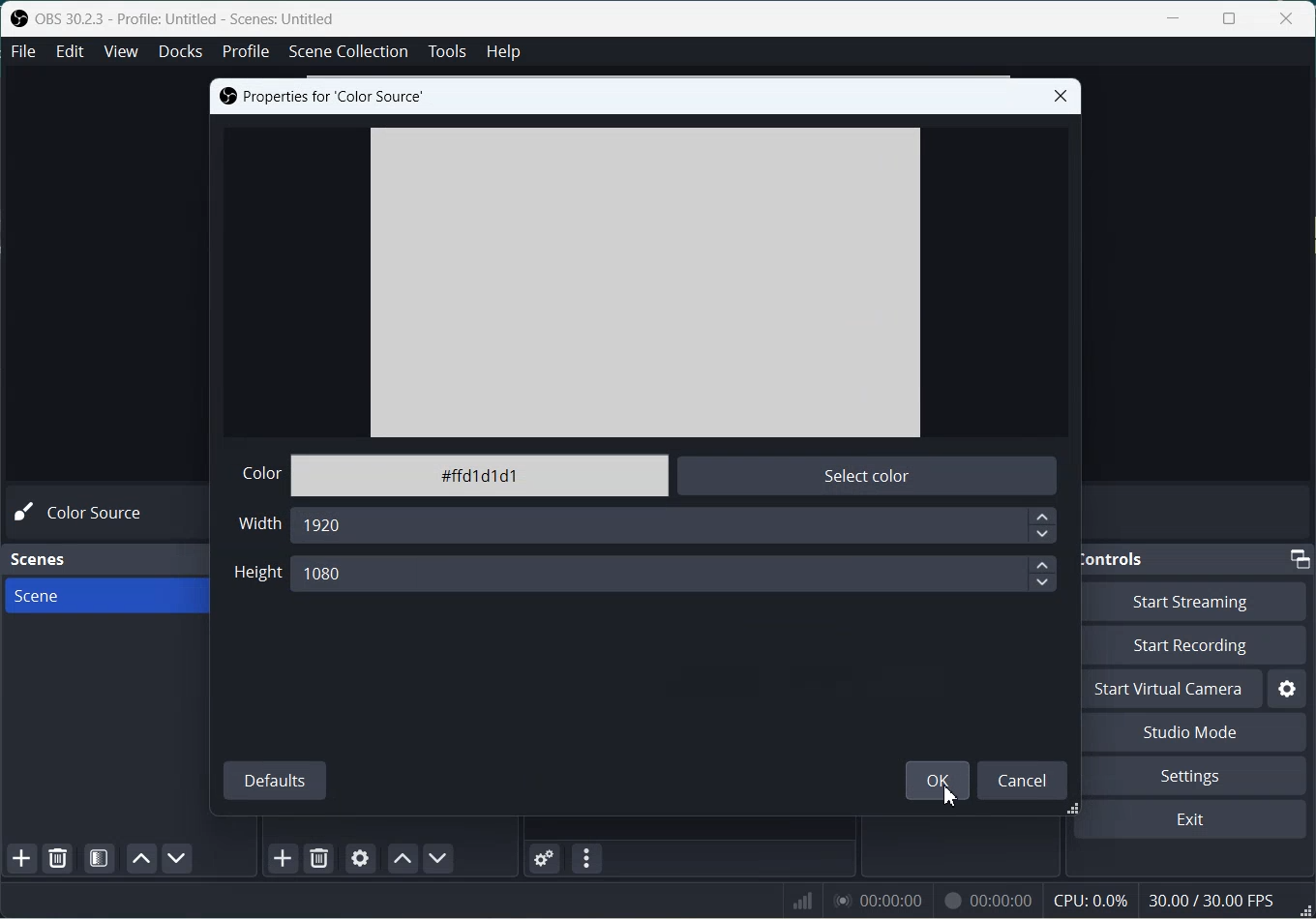  Describe the element at coordinates (256, 578) in the screenshot. I see `Height` at that location.